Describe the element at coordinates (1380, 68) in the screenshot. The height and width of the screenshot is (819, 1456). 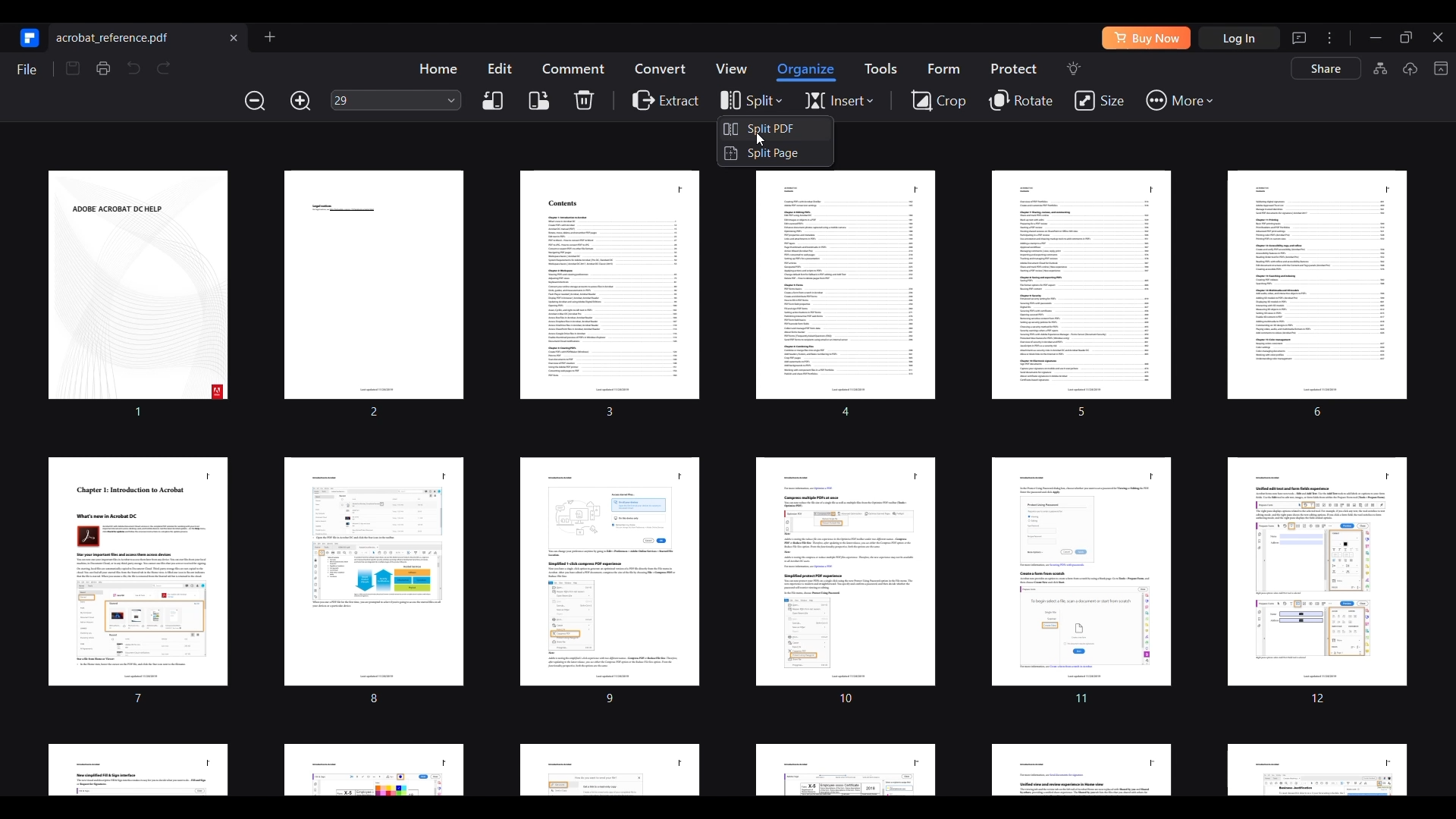
I see `AI knowledge card` at that location.